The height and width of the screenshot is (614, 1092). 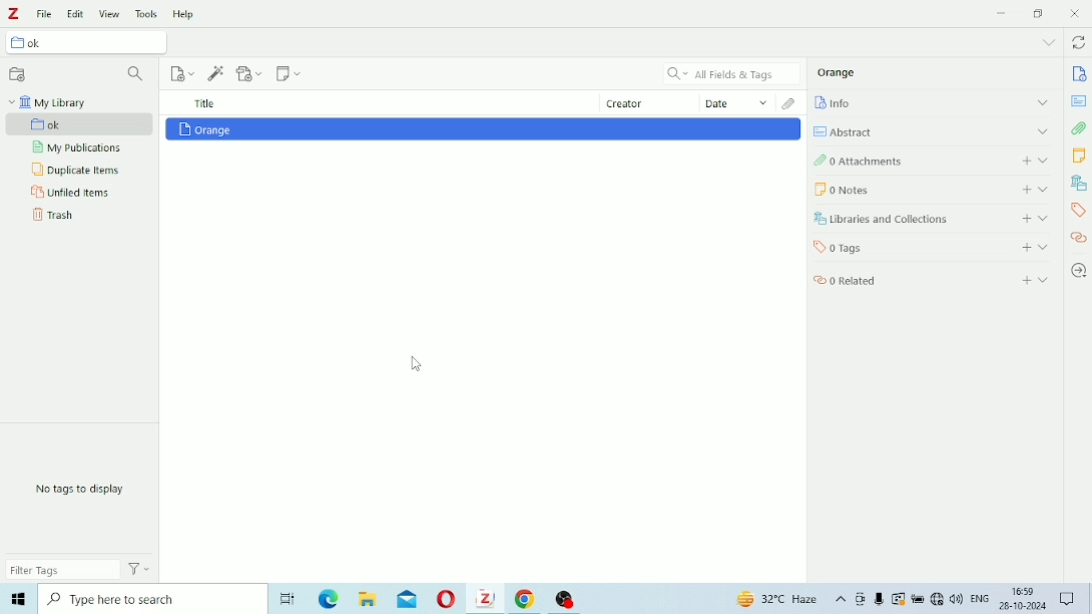 What do you see at coordinates (485, 598) in the screenshot?
I see `Zotero` at bounding box center [485, 598].